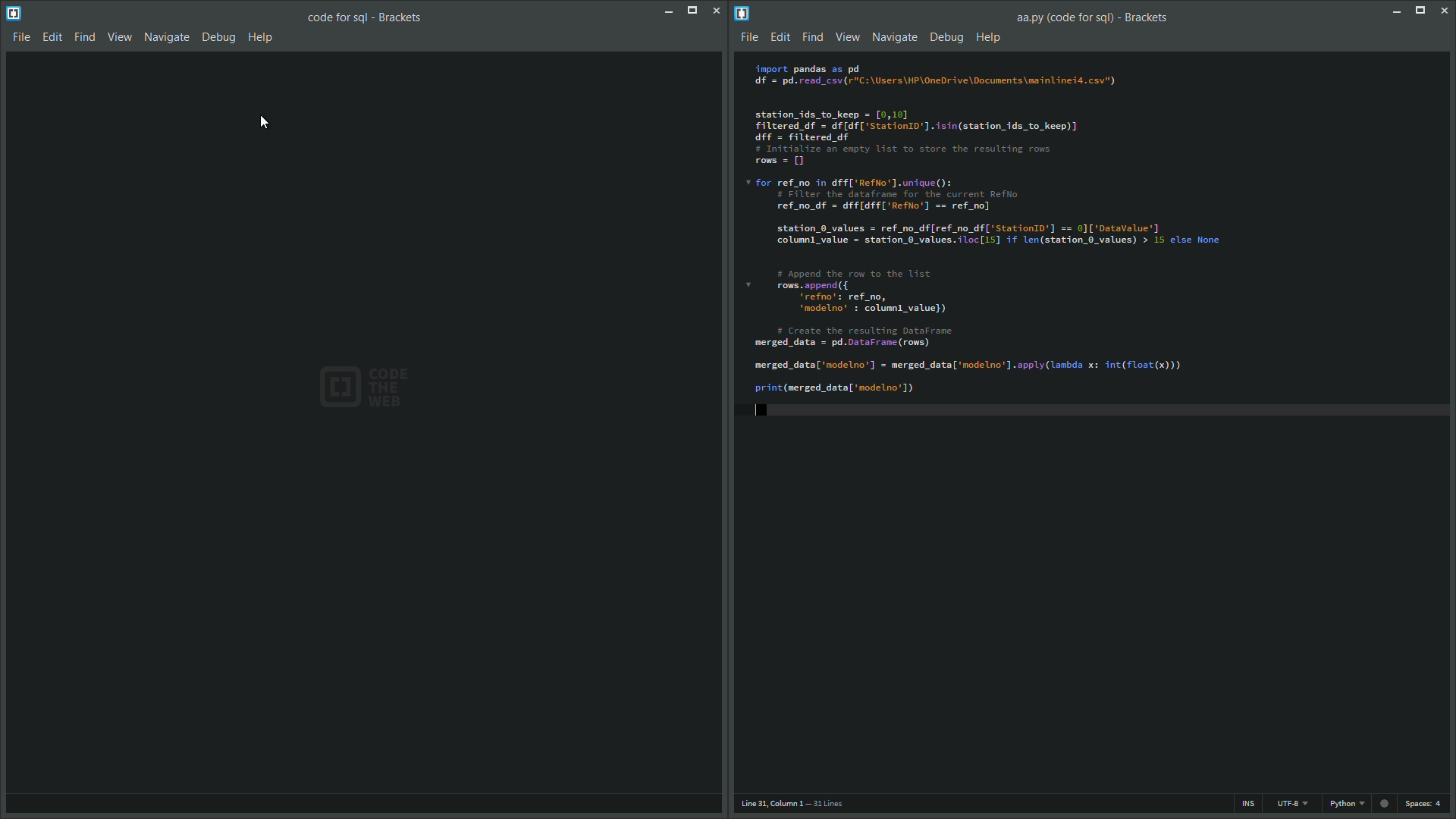 The height and width of the screenshot is (819, 1456). What do you see at coordinates (1445, 11) in the screenshot?
I see `close` at bounding box center [1445, 11].